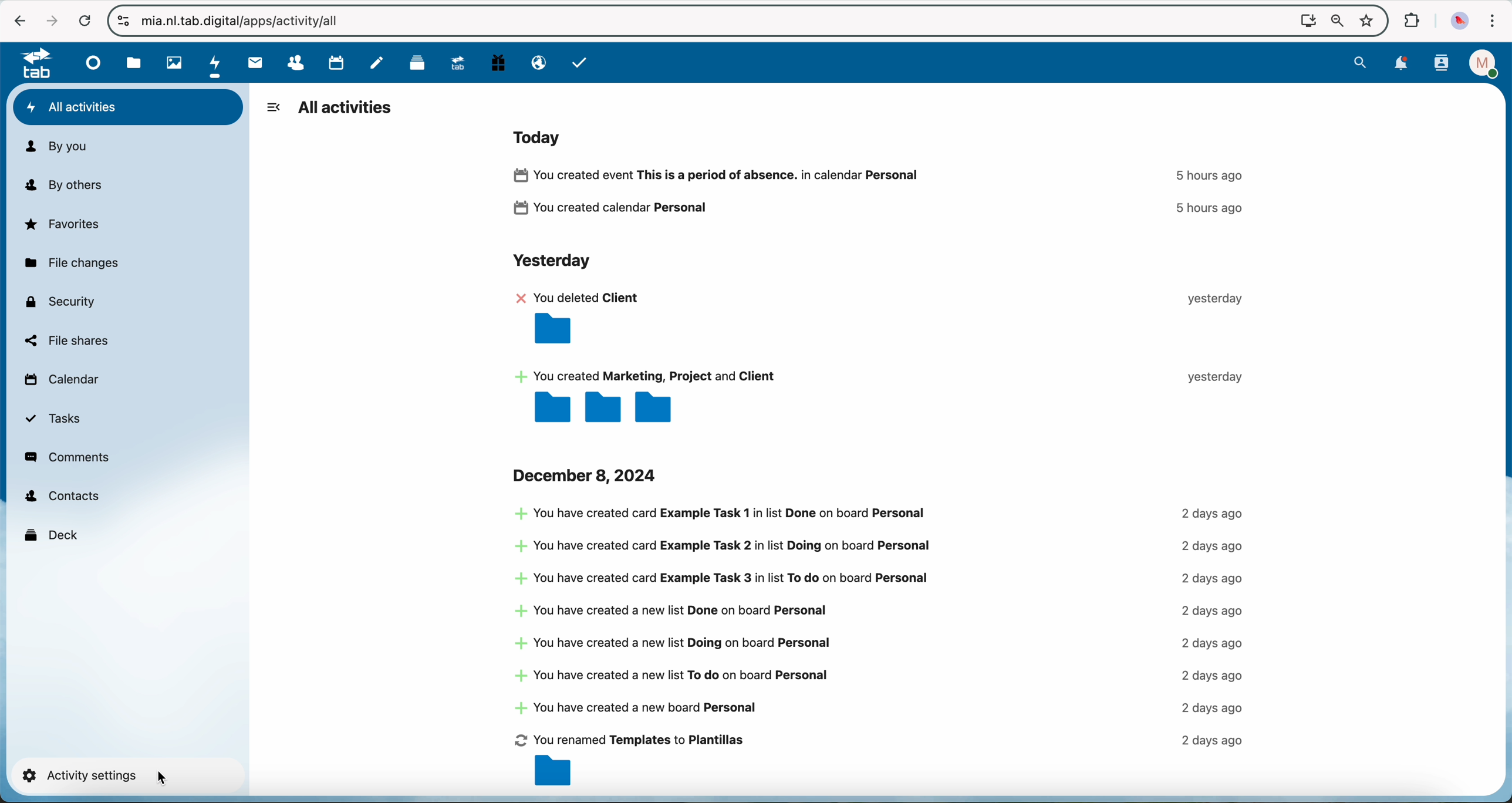 The width and height of the screenshot is (1512, 803). I want to click on cancel, so click(85, 22).